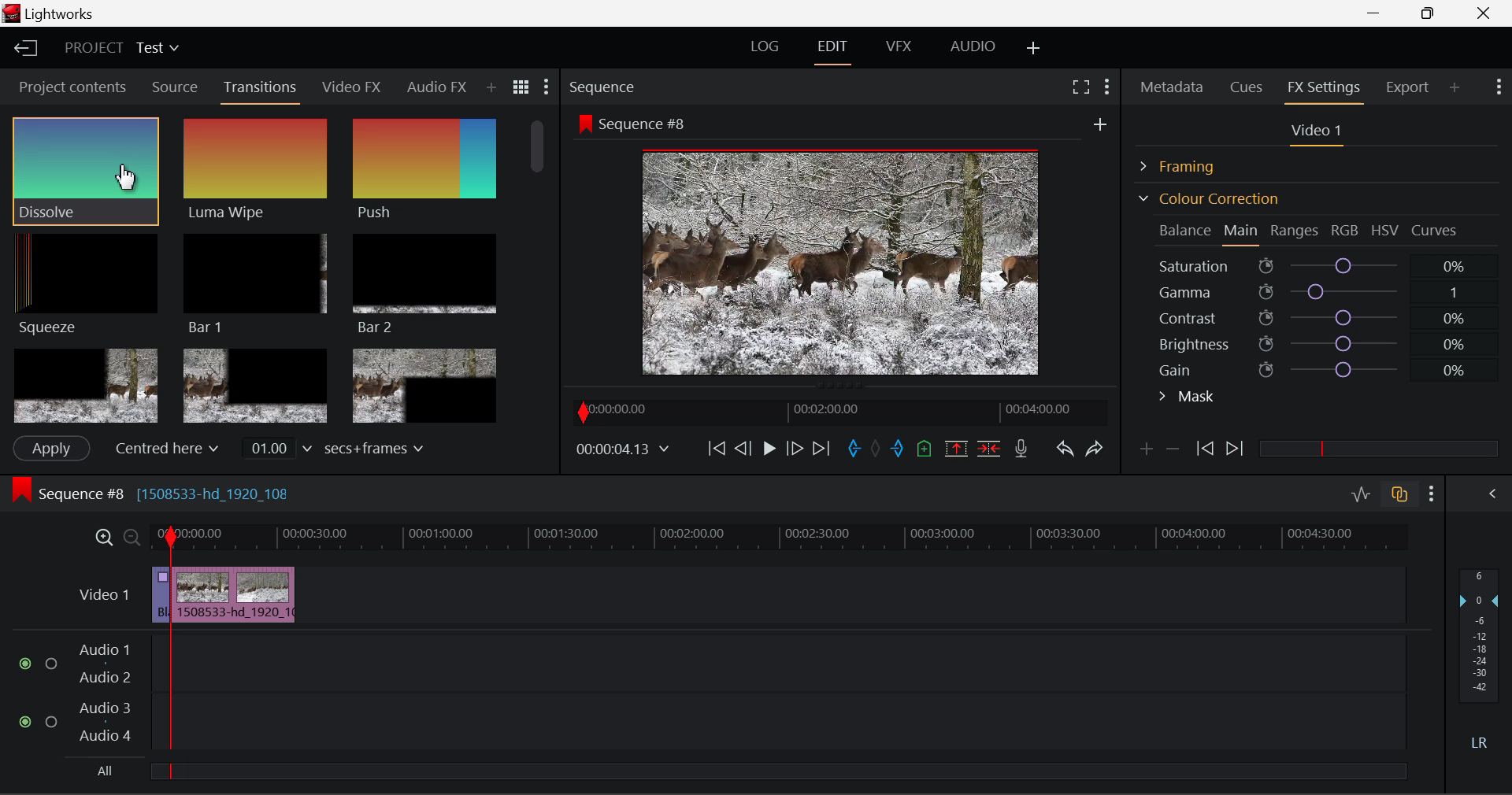  I want to click on Framing Section, so click(1190, 164).